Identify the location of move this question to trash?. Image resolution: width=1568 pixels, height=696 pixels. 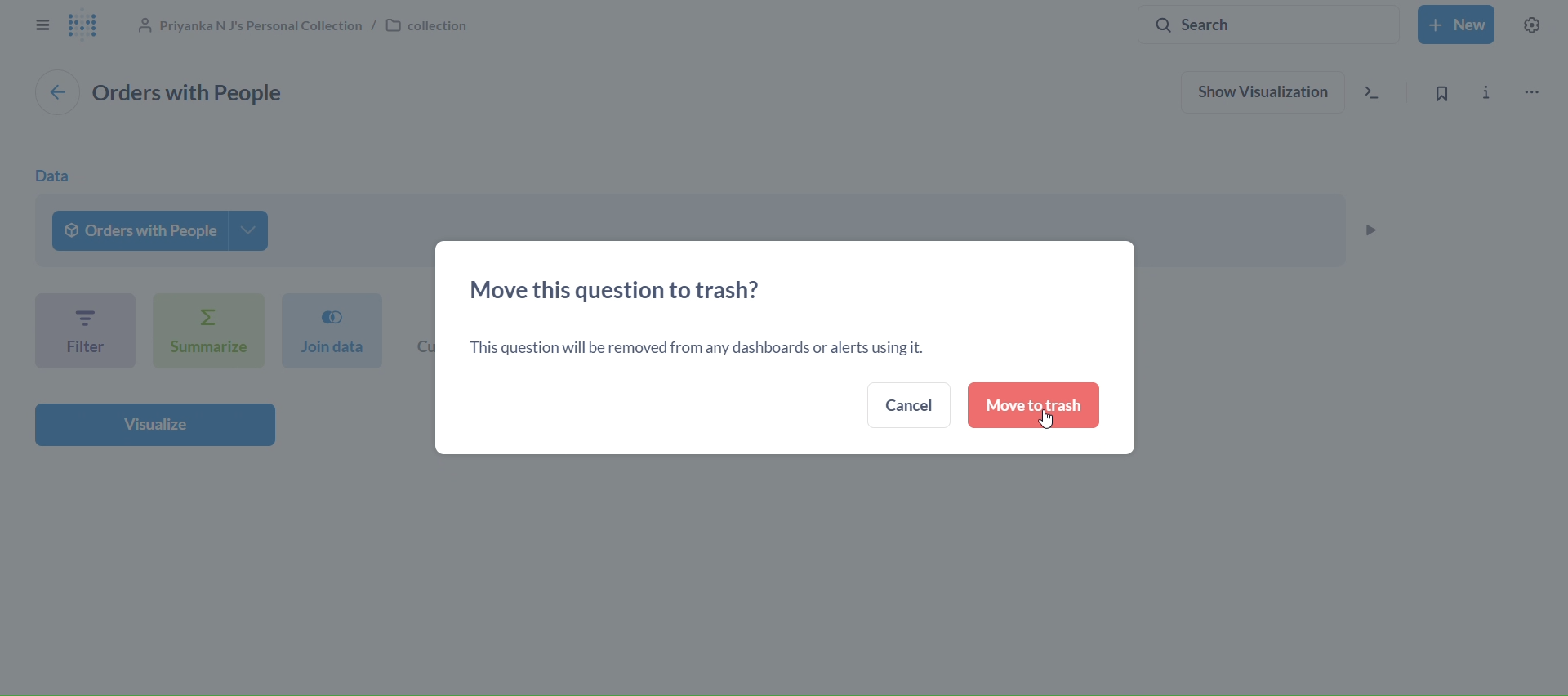
(623, 288).